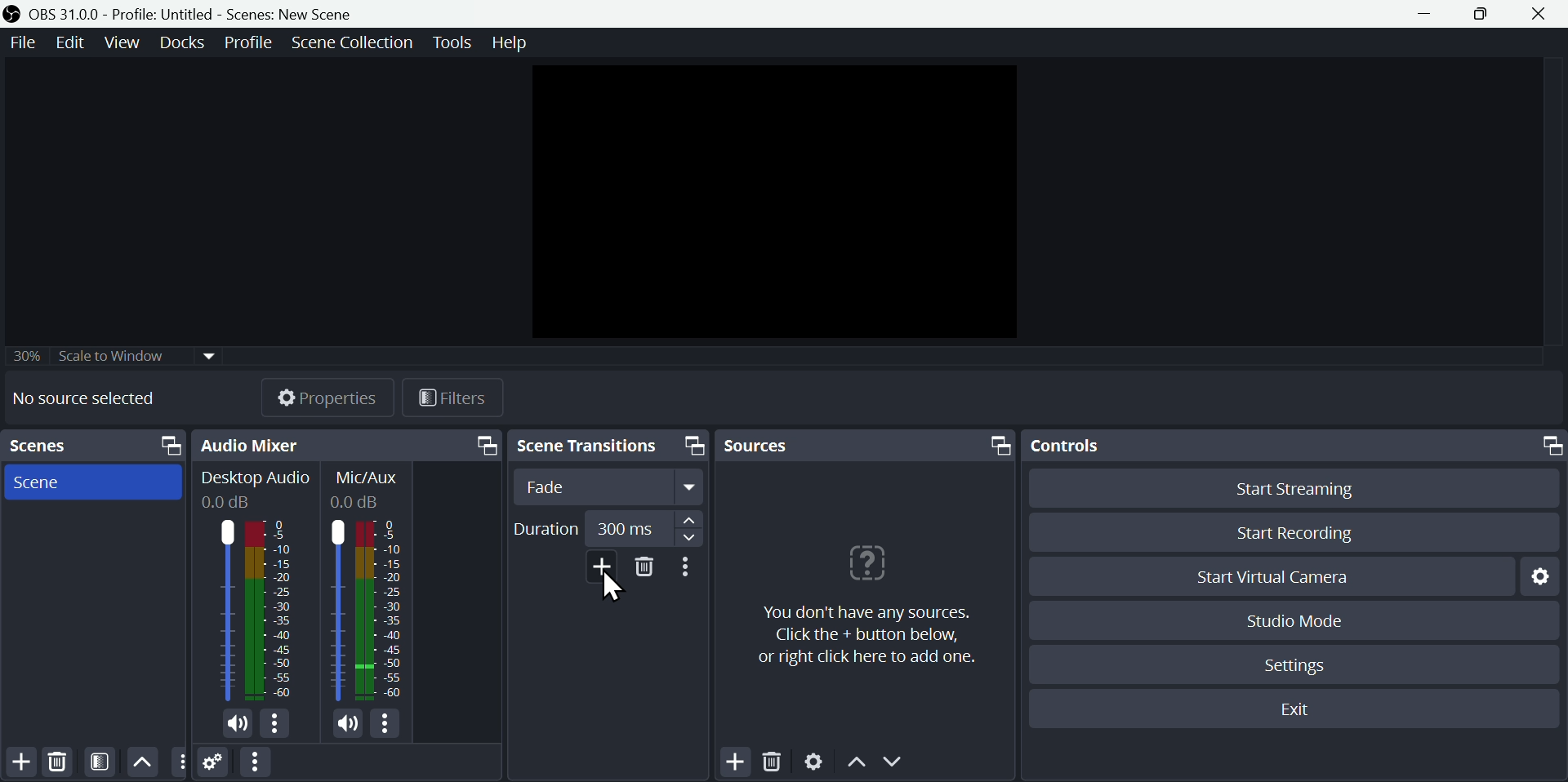 The height and width of the screenshot is (782, 1568). Describe the element at coordinates (1545, 13) in the screenshot. I see `Close` at that location.